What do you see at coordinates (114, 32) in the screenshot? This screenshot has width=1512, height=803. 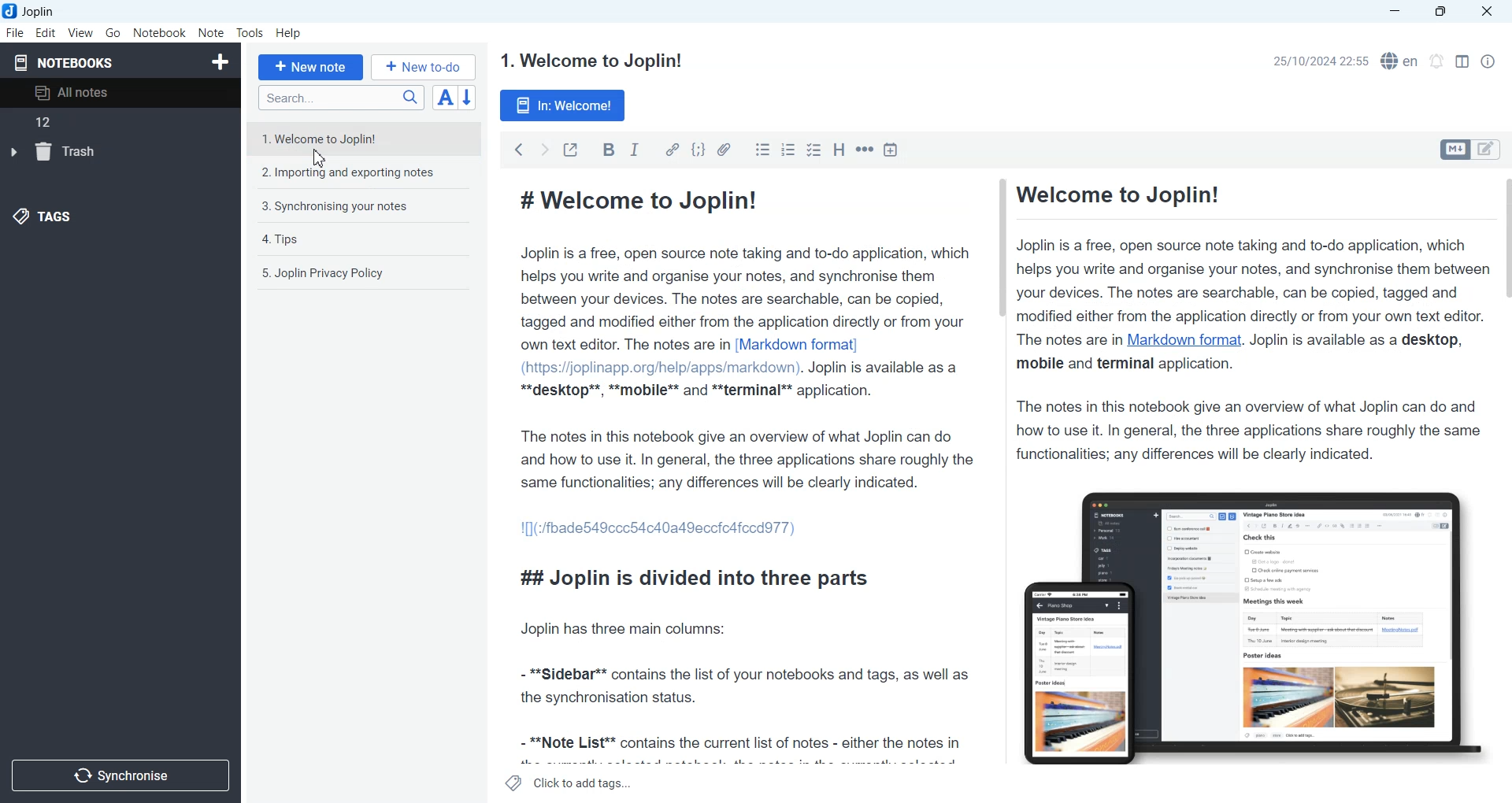 I see `Go` at bounding box center [114, 32].